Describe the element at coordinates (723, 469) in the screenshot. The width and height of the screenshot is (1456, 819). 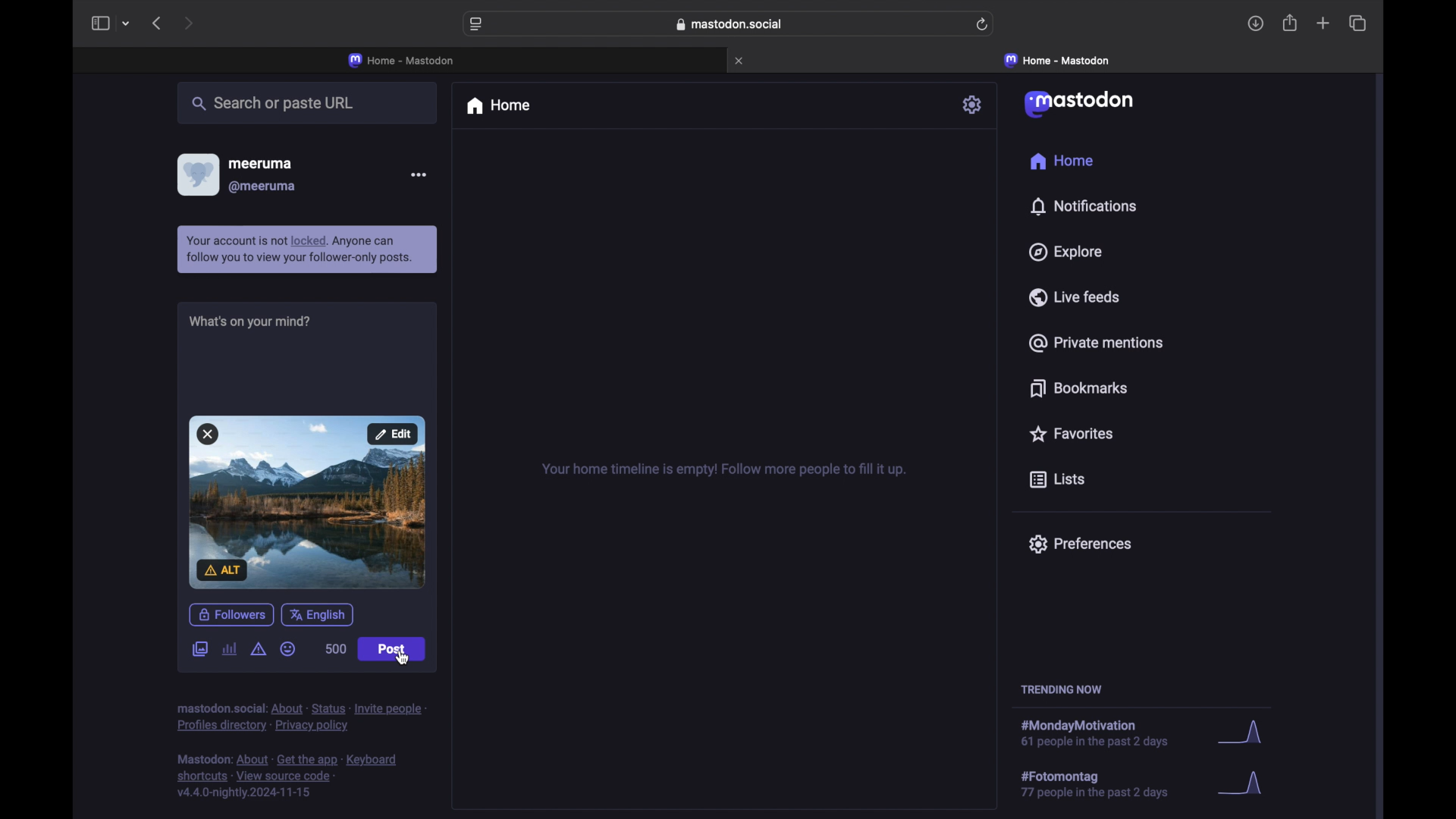
I see `your  home timeline is empty! follow more people to fill it up` at that location.